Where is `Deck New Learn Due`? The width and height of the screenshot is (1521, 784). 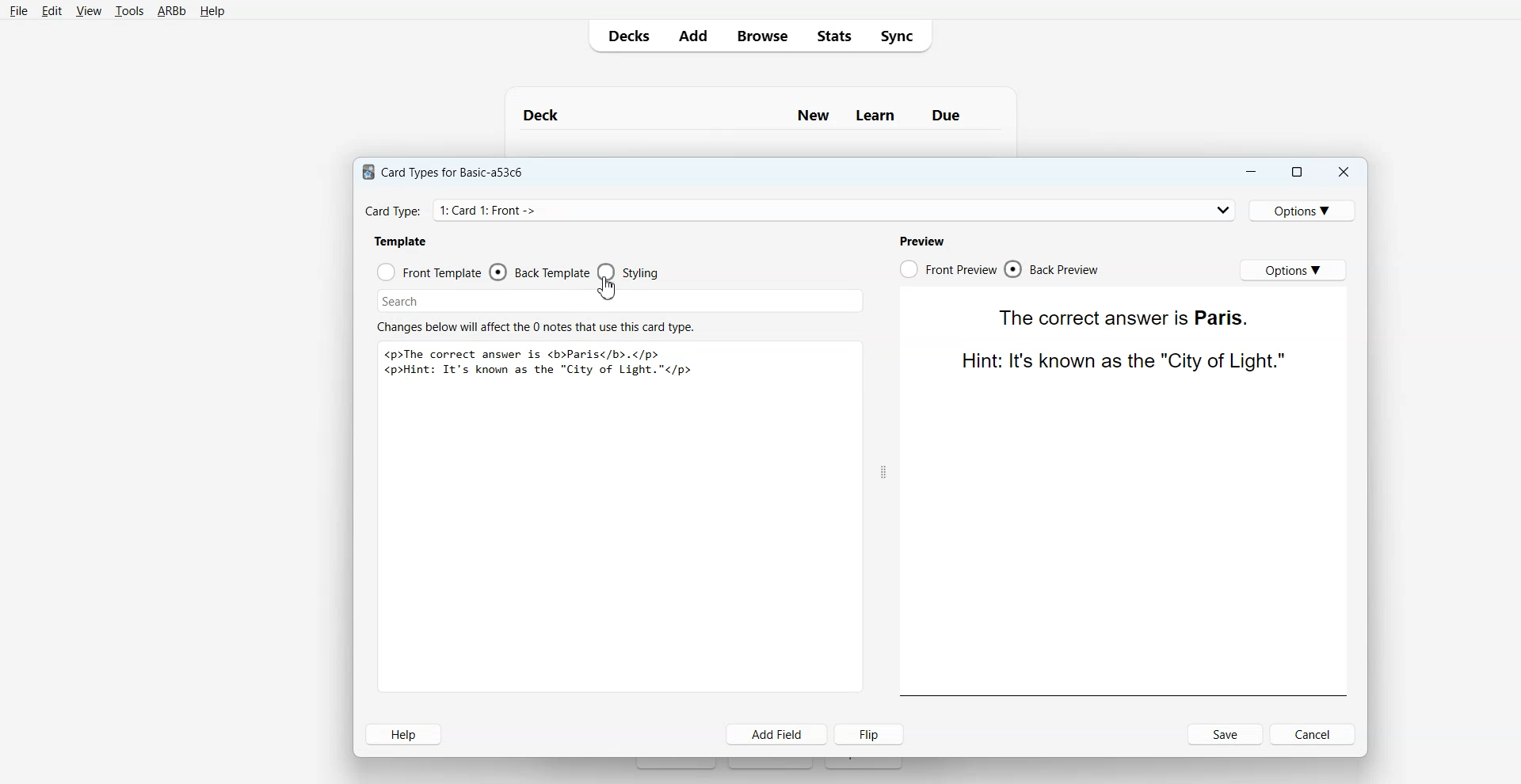
Deck New Learn Due is located at coordinates (750, 115).